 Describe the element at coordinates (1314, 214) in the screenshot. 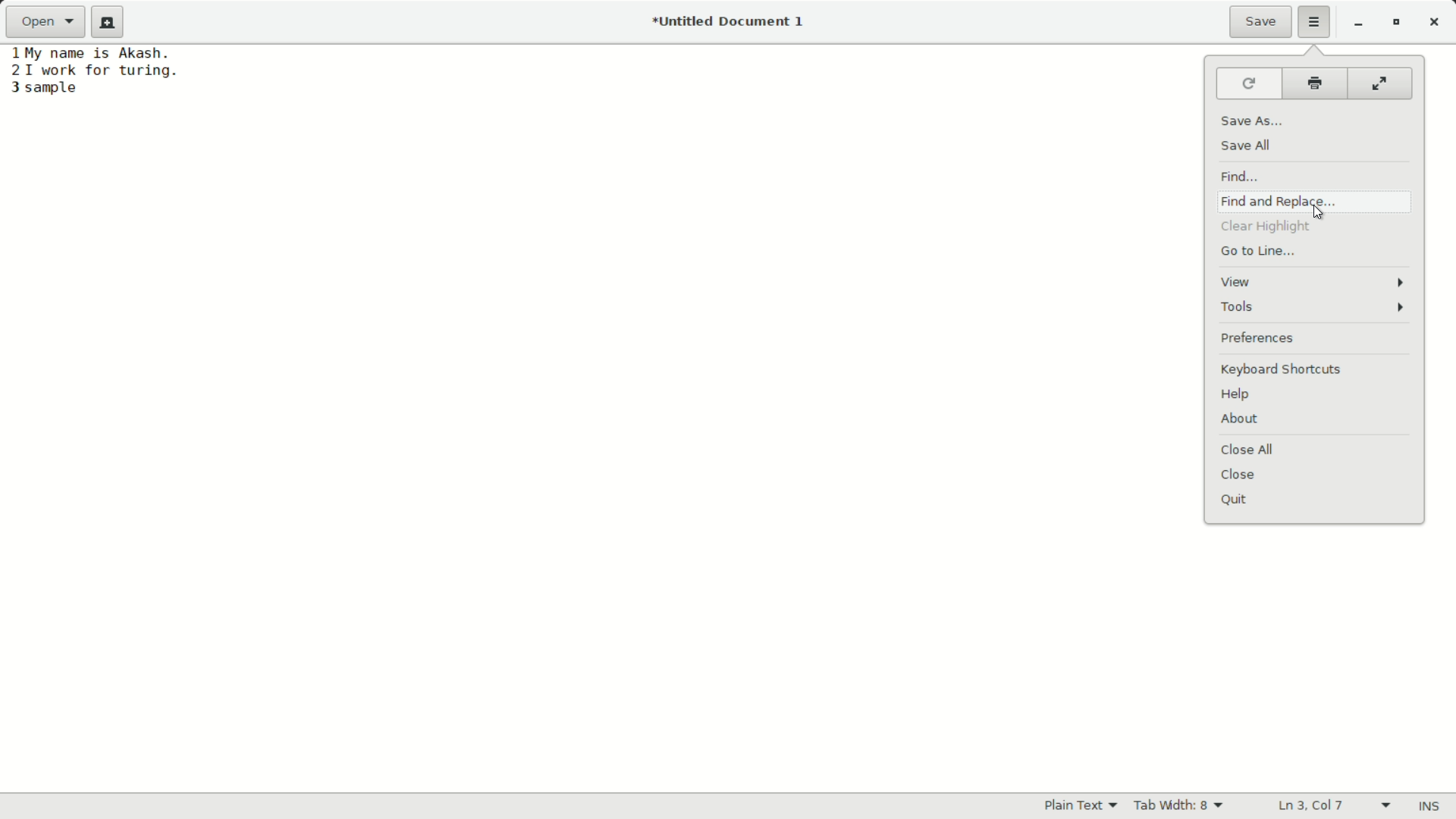

I see `cursor` at that location.